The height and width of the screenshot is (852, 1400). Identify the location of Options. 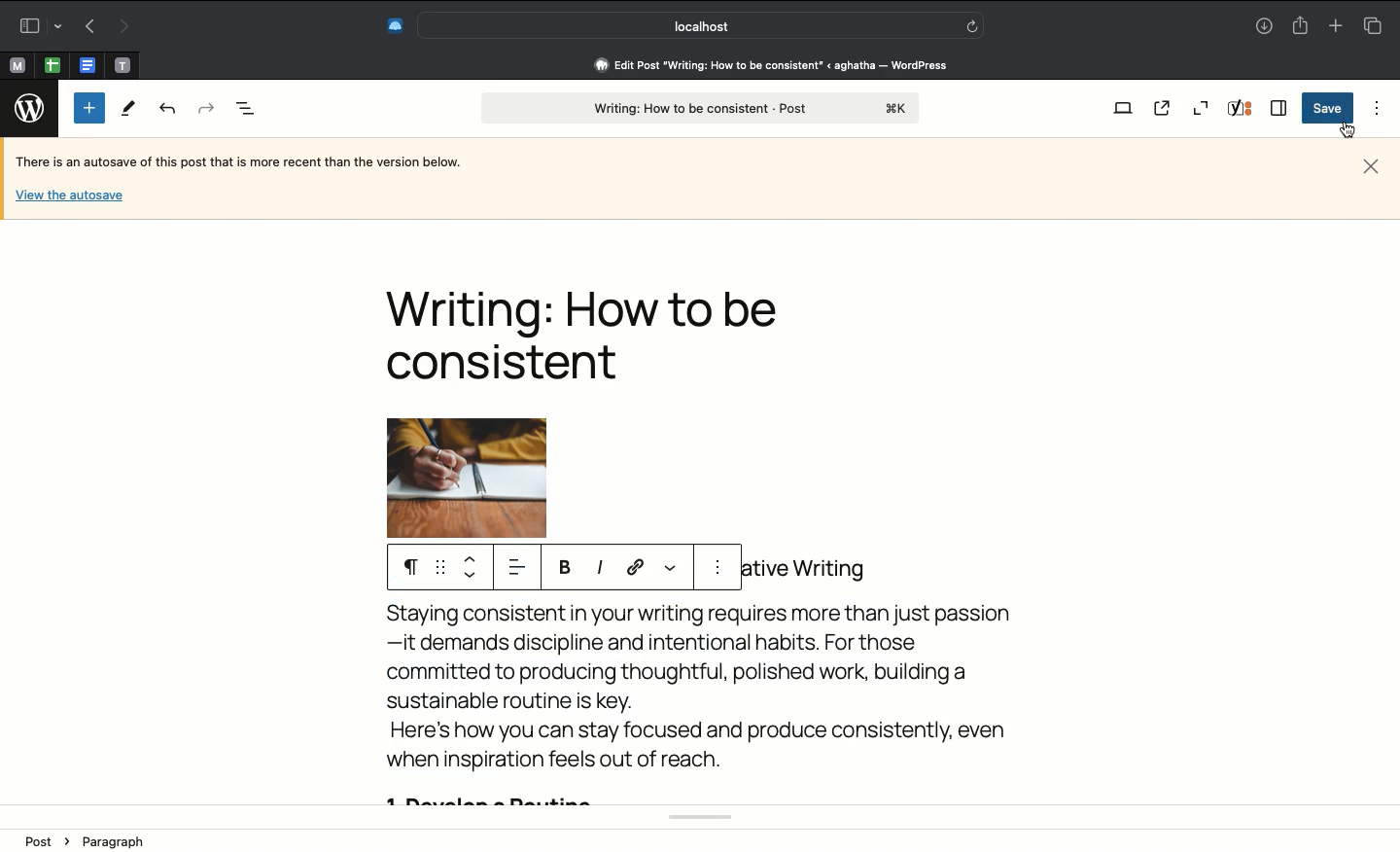
(720, 571).